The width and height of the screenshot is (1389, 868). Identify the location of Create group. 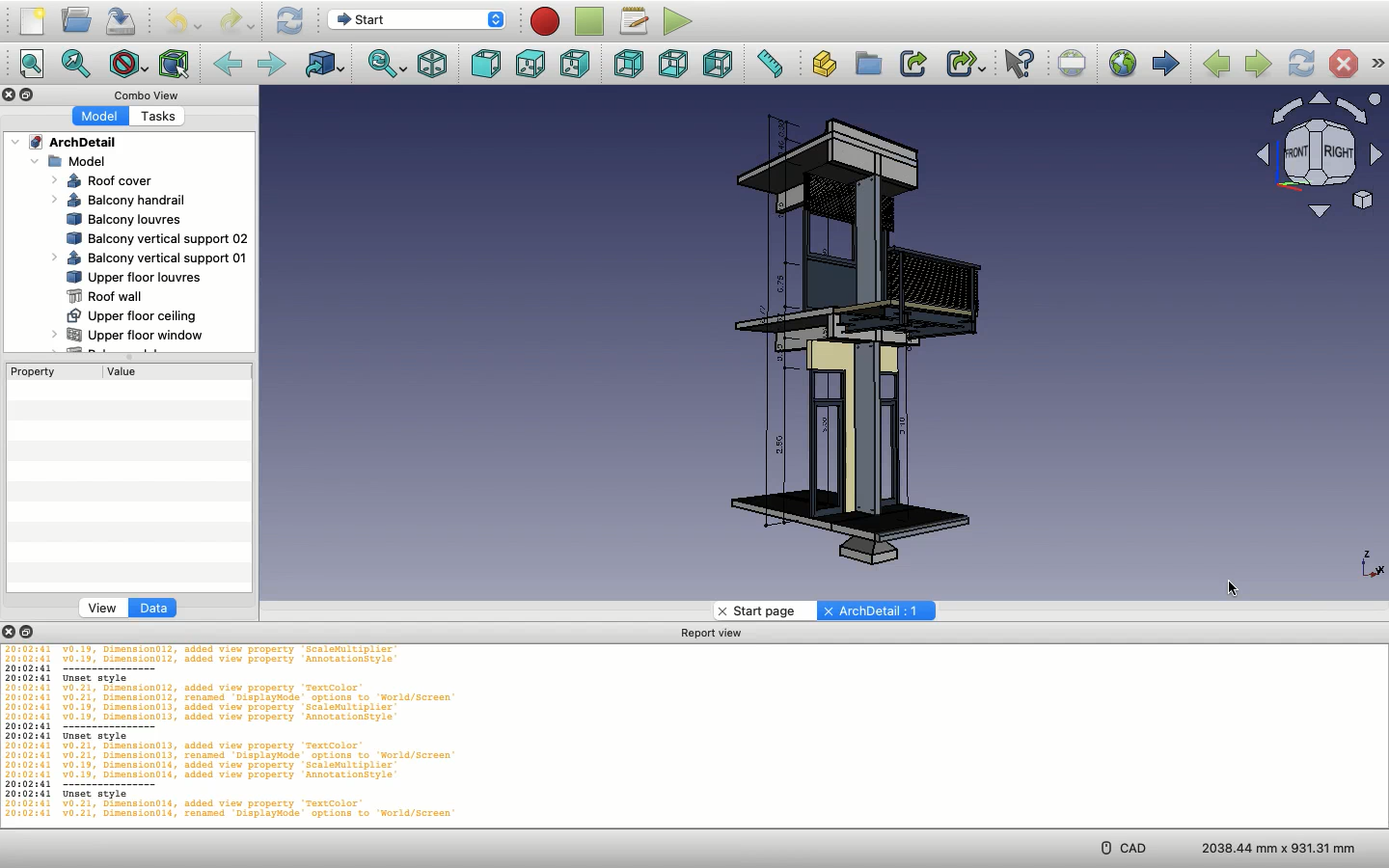
(867, 64).